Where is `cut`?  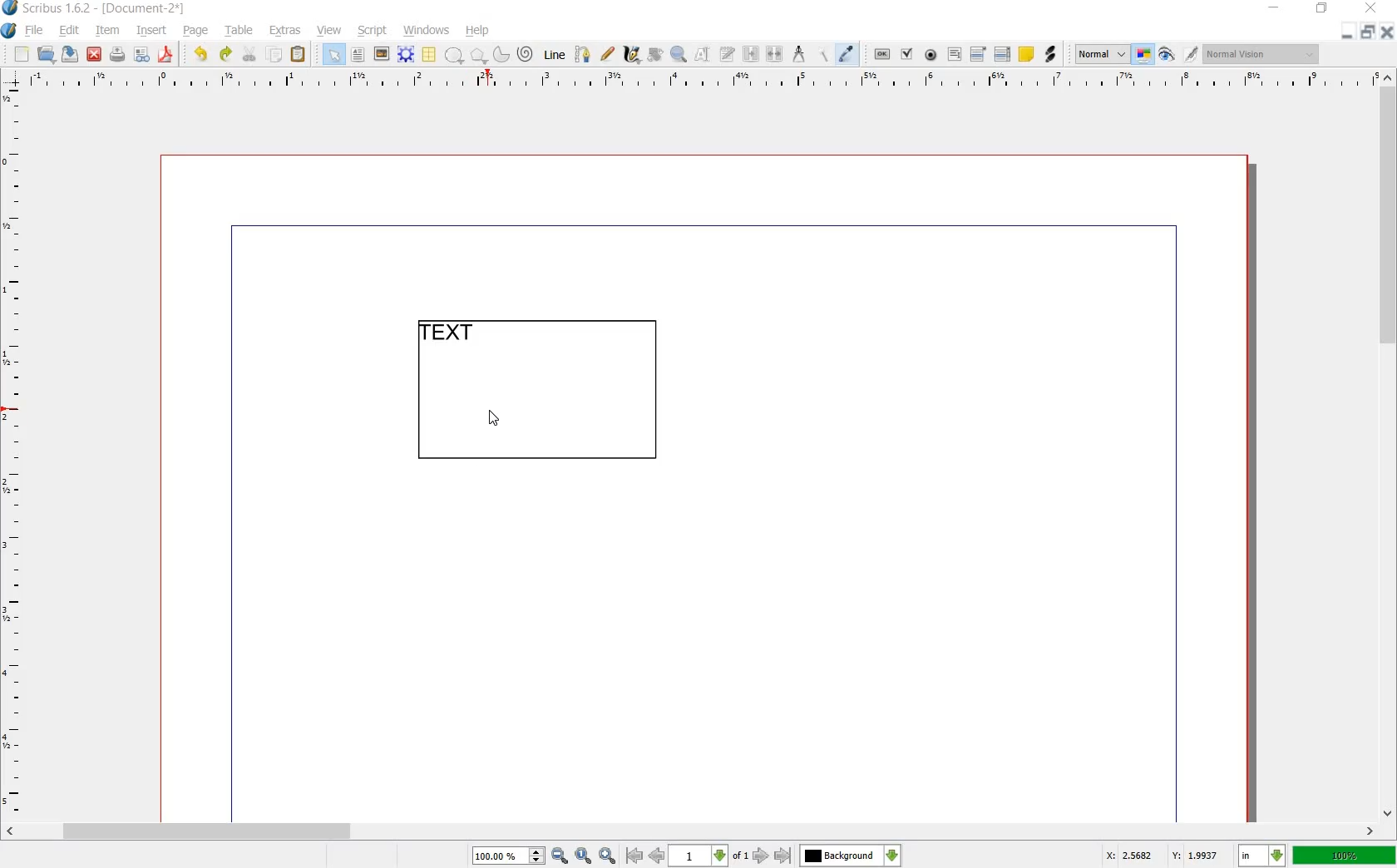
cut is located at coordinates (250, 55).